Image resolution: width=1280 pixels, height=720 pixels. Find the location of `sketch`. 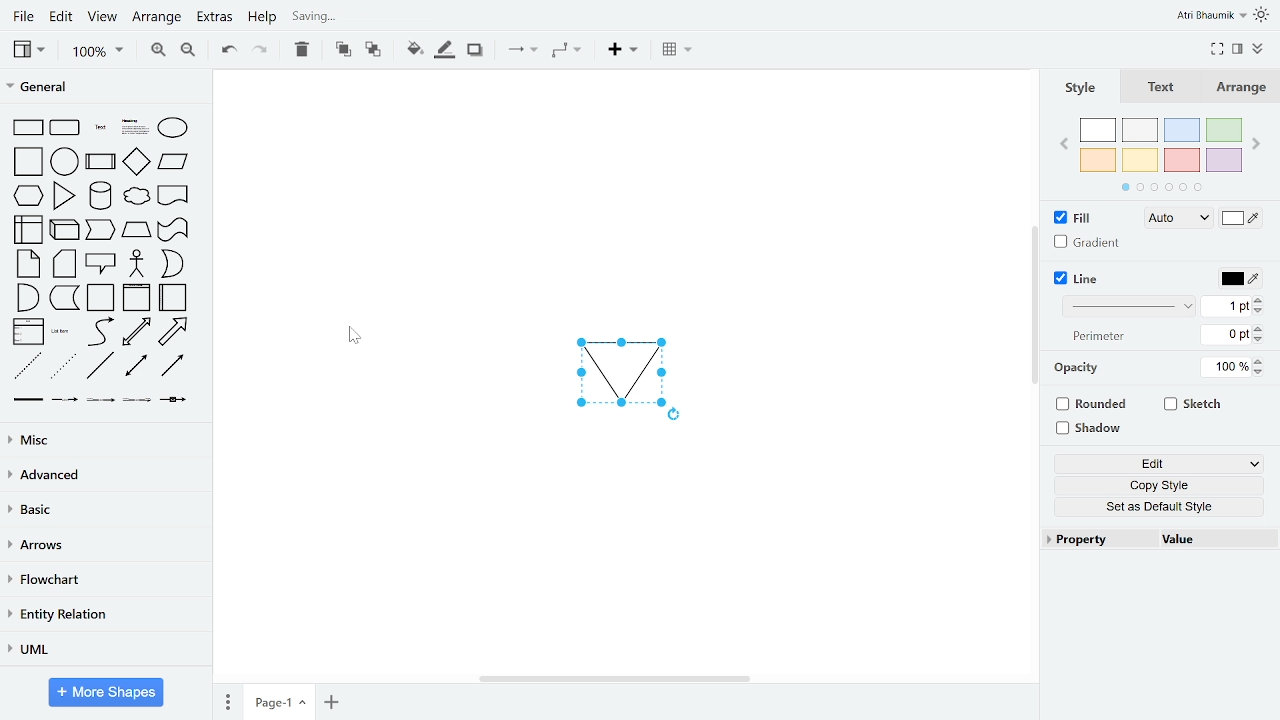

sketch is located at coordinates (1194, 406).